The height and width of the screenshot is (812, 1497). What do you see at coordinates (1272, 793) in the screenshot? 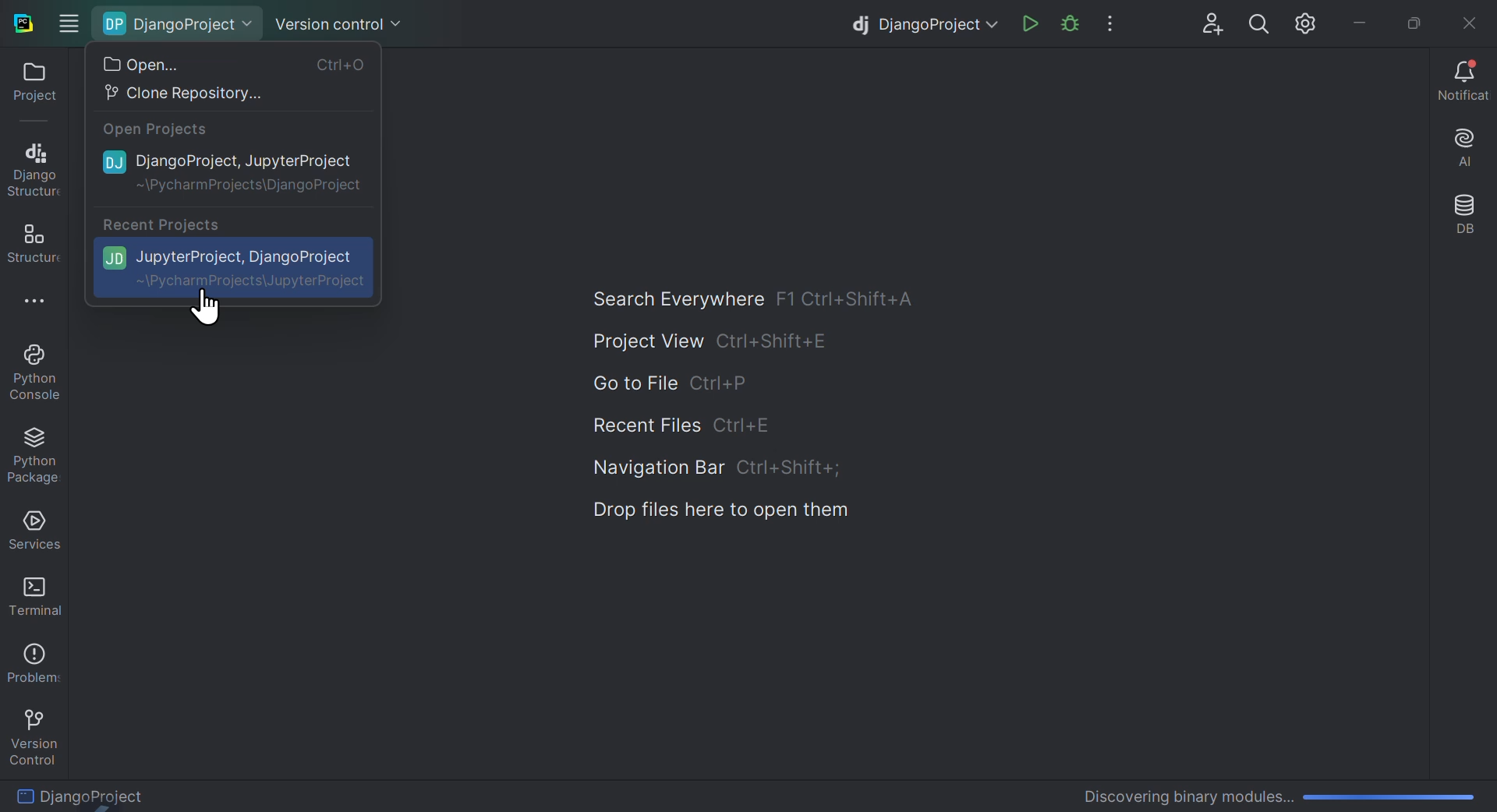
I see `Discovering Binary Modules` at bounding box center [1272, 793].